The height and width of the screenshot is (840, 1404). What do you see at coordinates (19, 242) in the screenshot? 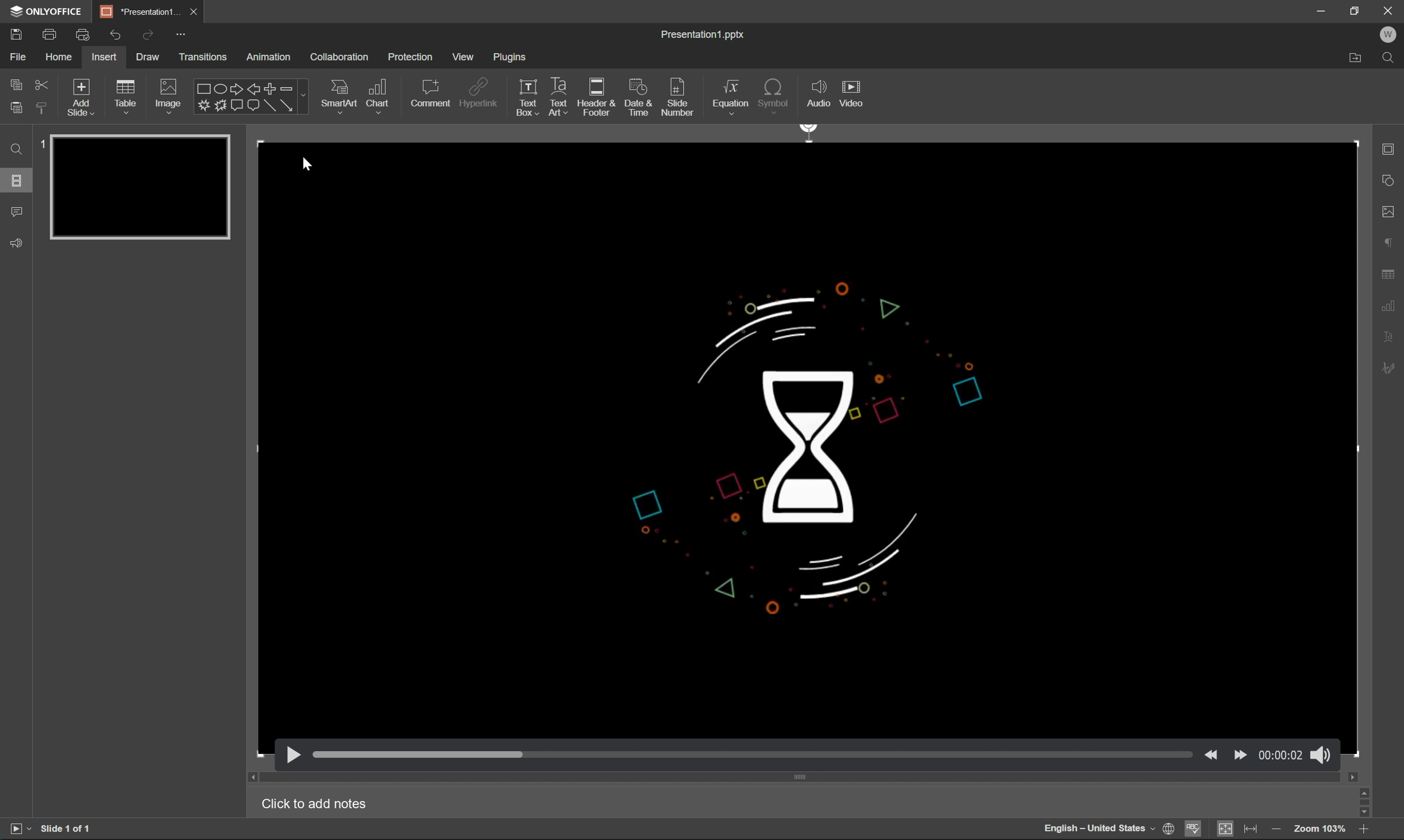
I see `Feedback & support` at bounding box center [19, 242].